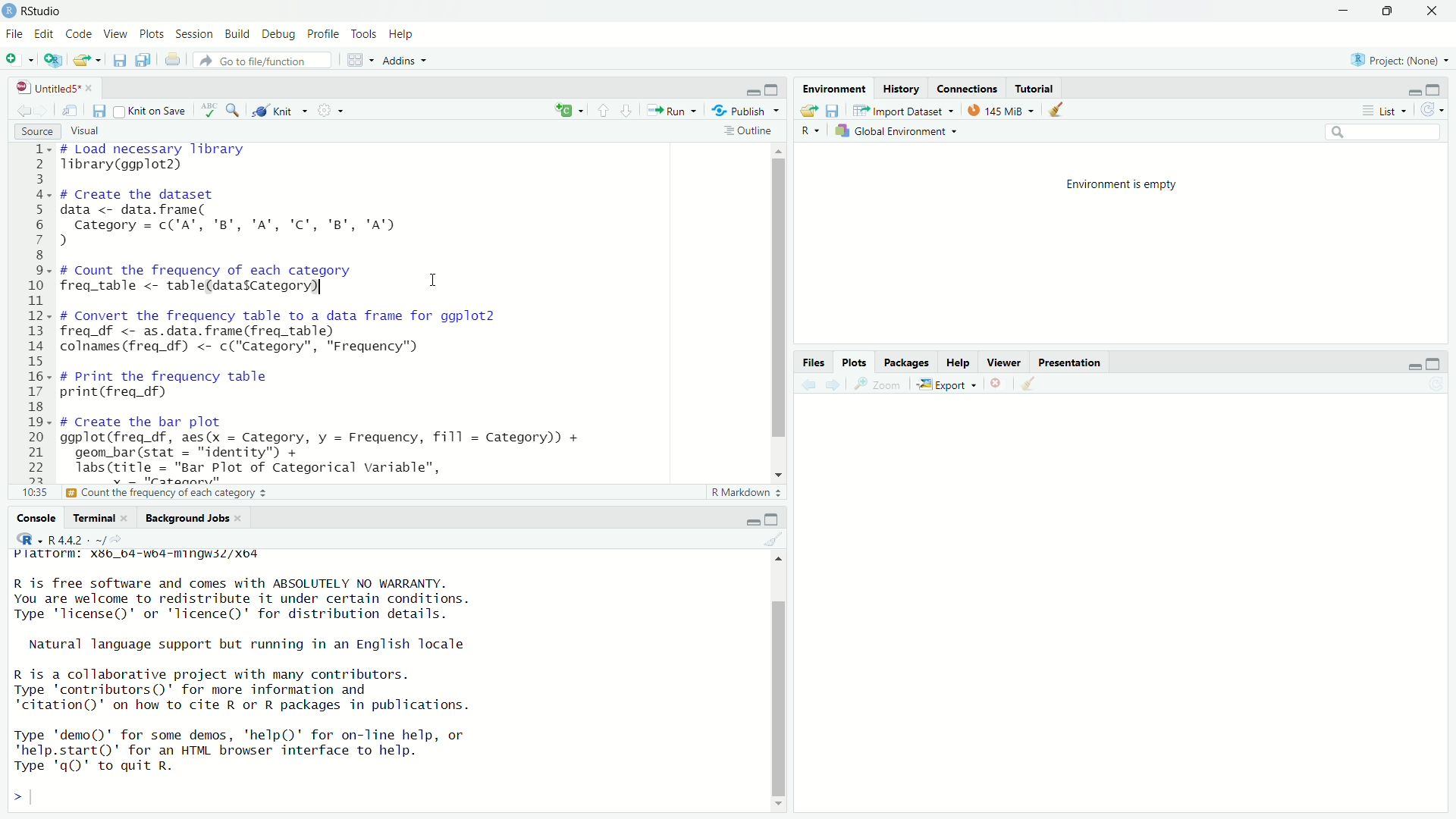 The height and width of the screenshot is (819, 1456). I want to click on untitled5, so click(60, 88).